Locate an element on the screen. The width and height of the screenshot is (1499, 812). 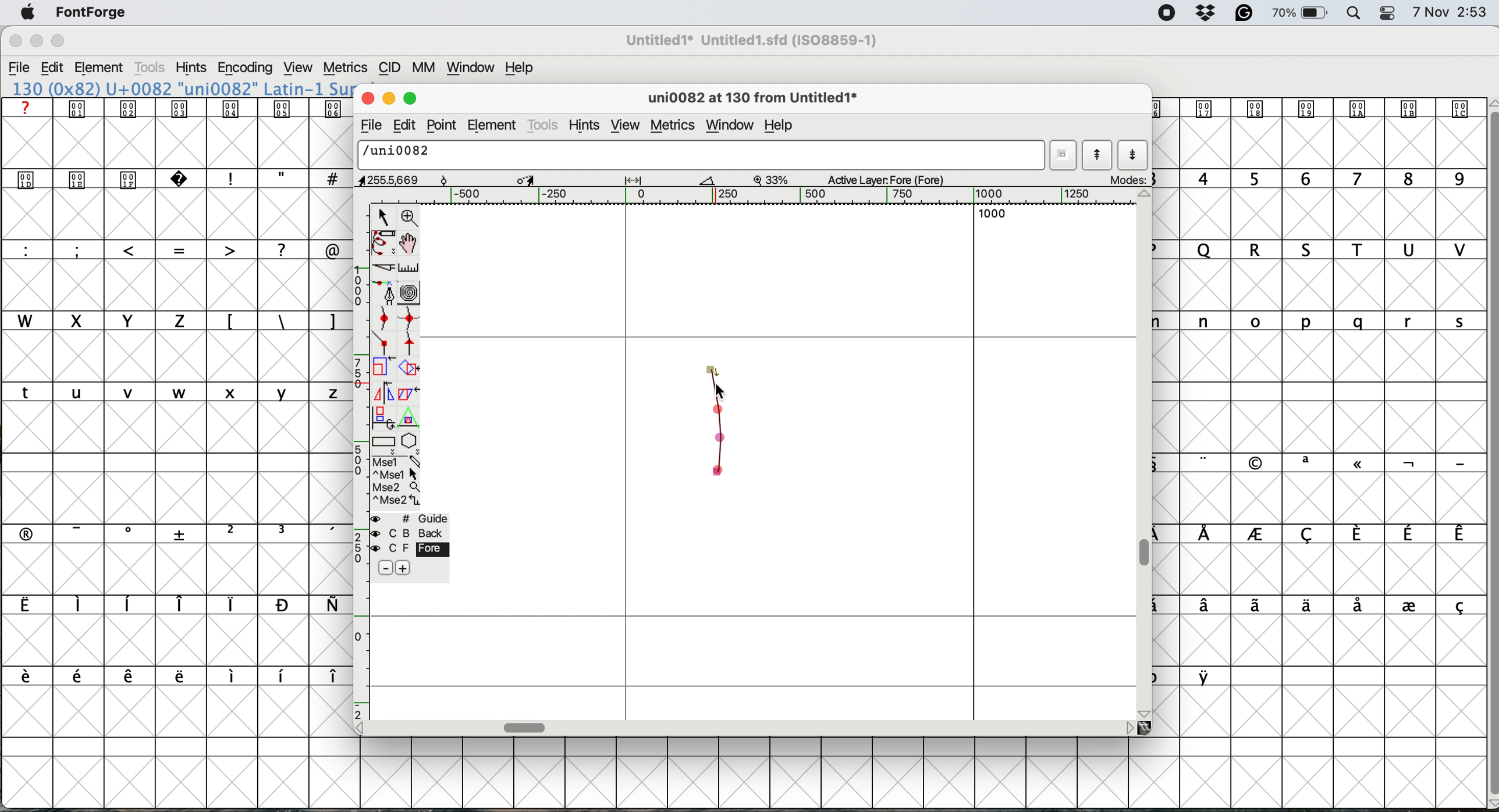
show previous letter is located at coordinates (1097, 155).